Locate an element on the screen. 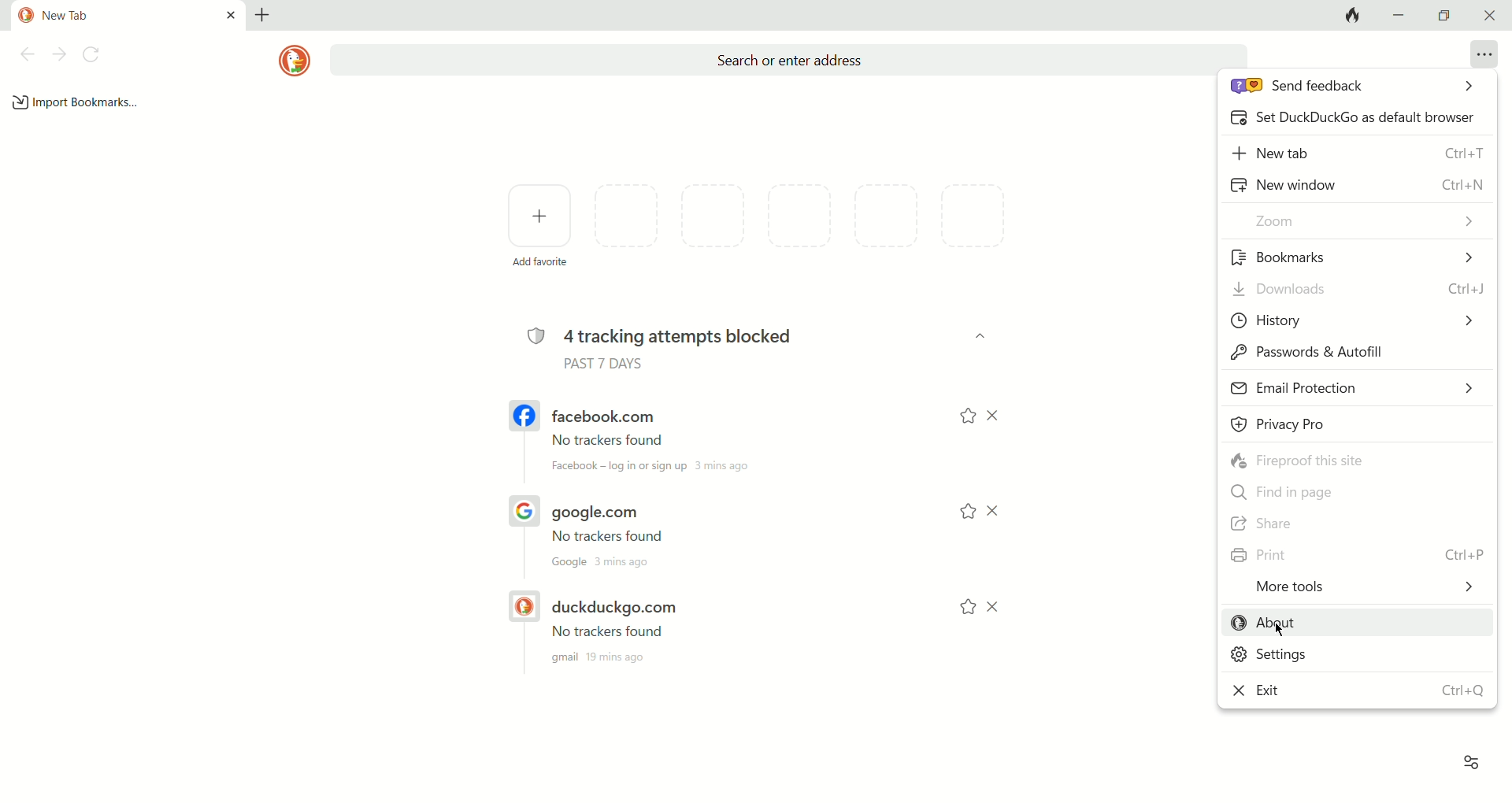 This screenshot has height=803, width=1512. minimize is located at coordinates (1401, 16).